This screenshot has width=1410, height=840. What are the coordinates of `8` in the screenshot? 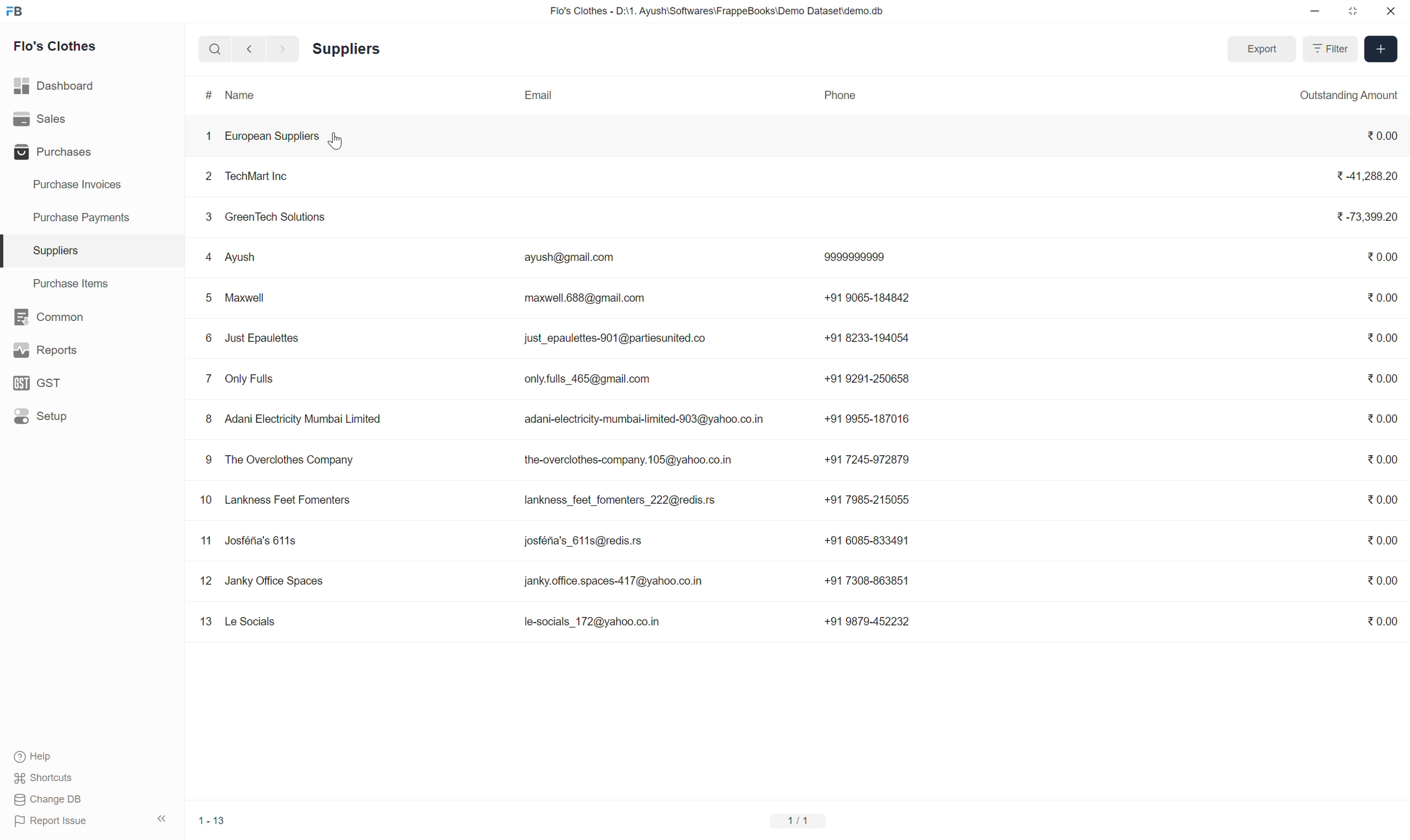 It's located at (208, 419).